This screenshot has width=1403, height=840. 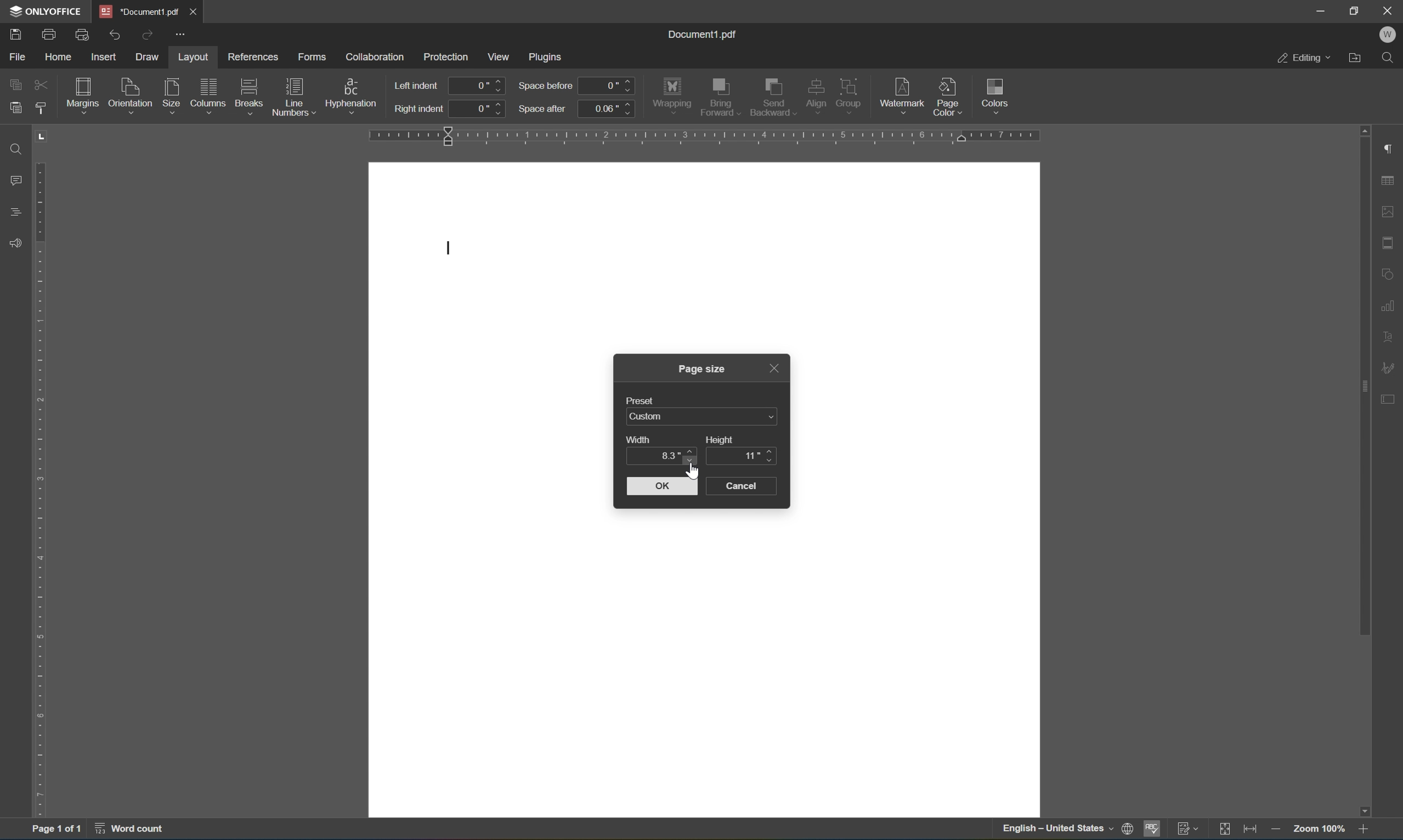 I want to click on minimize, so click(x=1323, y=11).